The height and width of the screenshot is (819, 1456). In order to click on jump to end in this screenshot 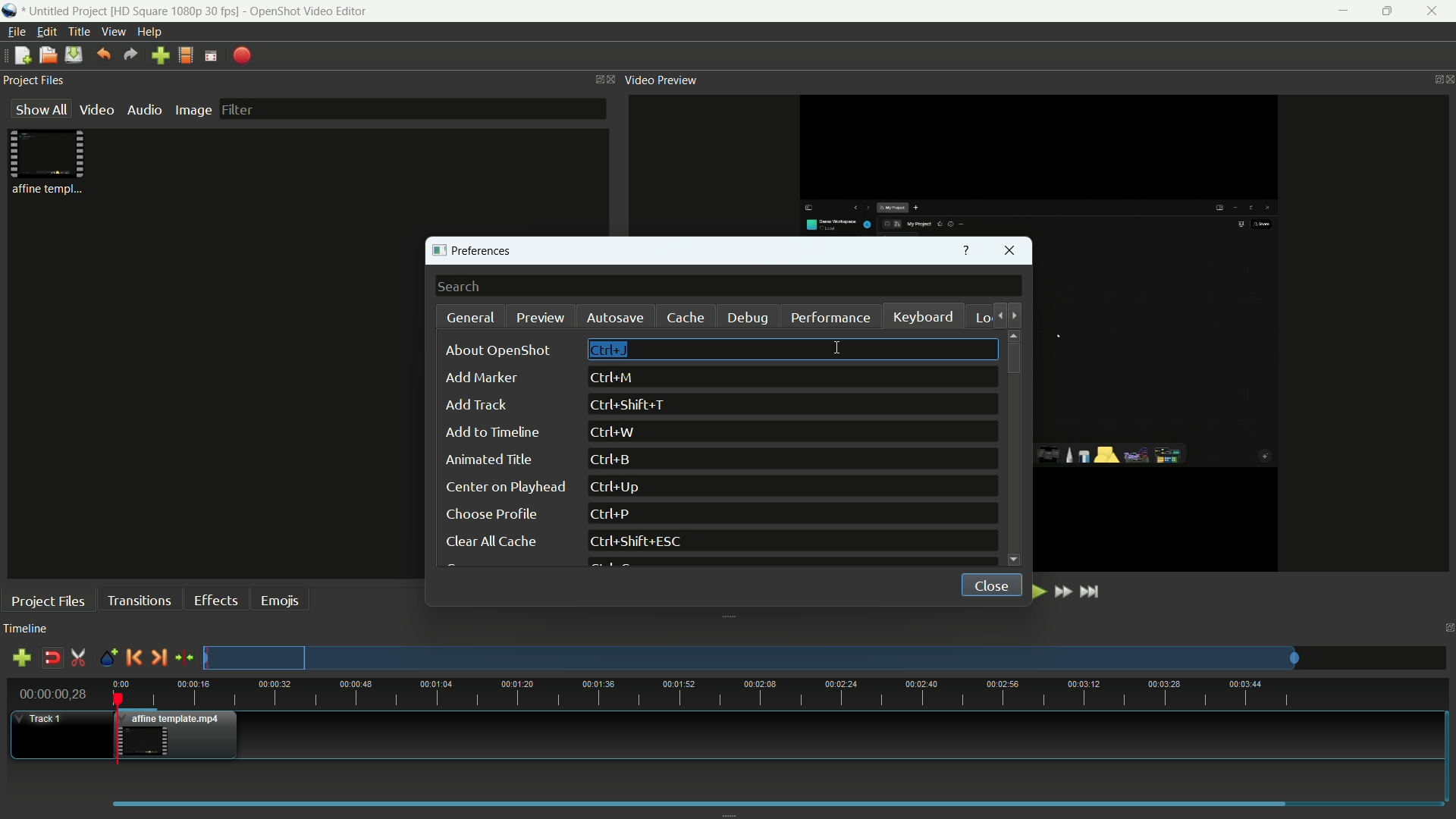, I will do `click(1093, 591)`.